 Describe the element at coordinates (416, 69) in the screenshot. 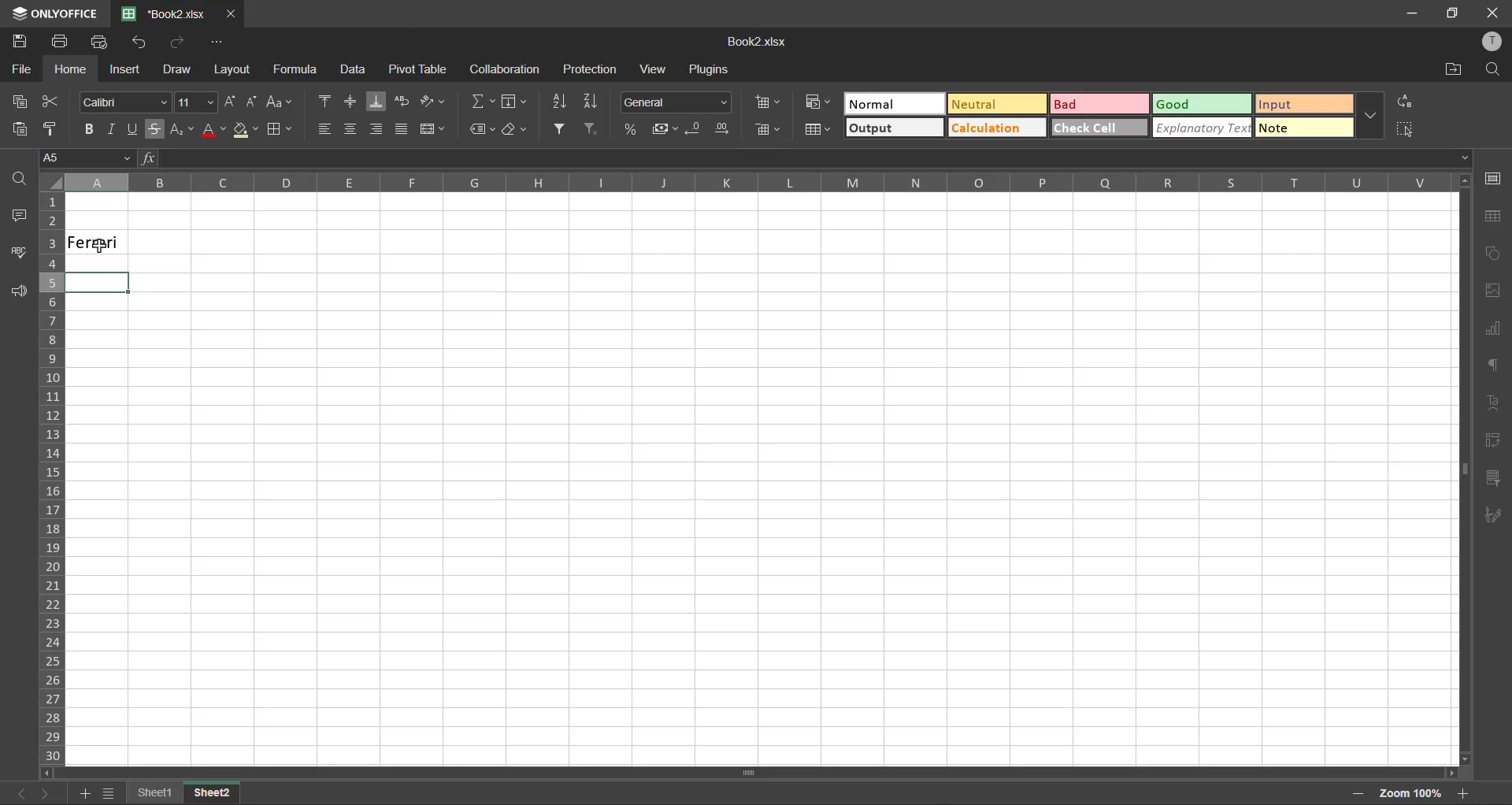

I see `pivot table` at that location.